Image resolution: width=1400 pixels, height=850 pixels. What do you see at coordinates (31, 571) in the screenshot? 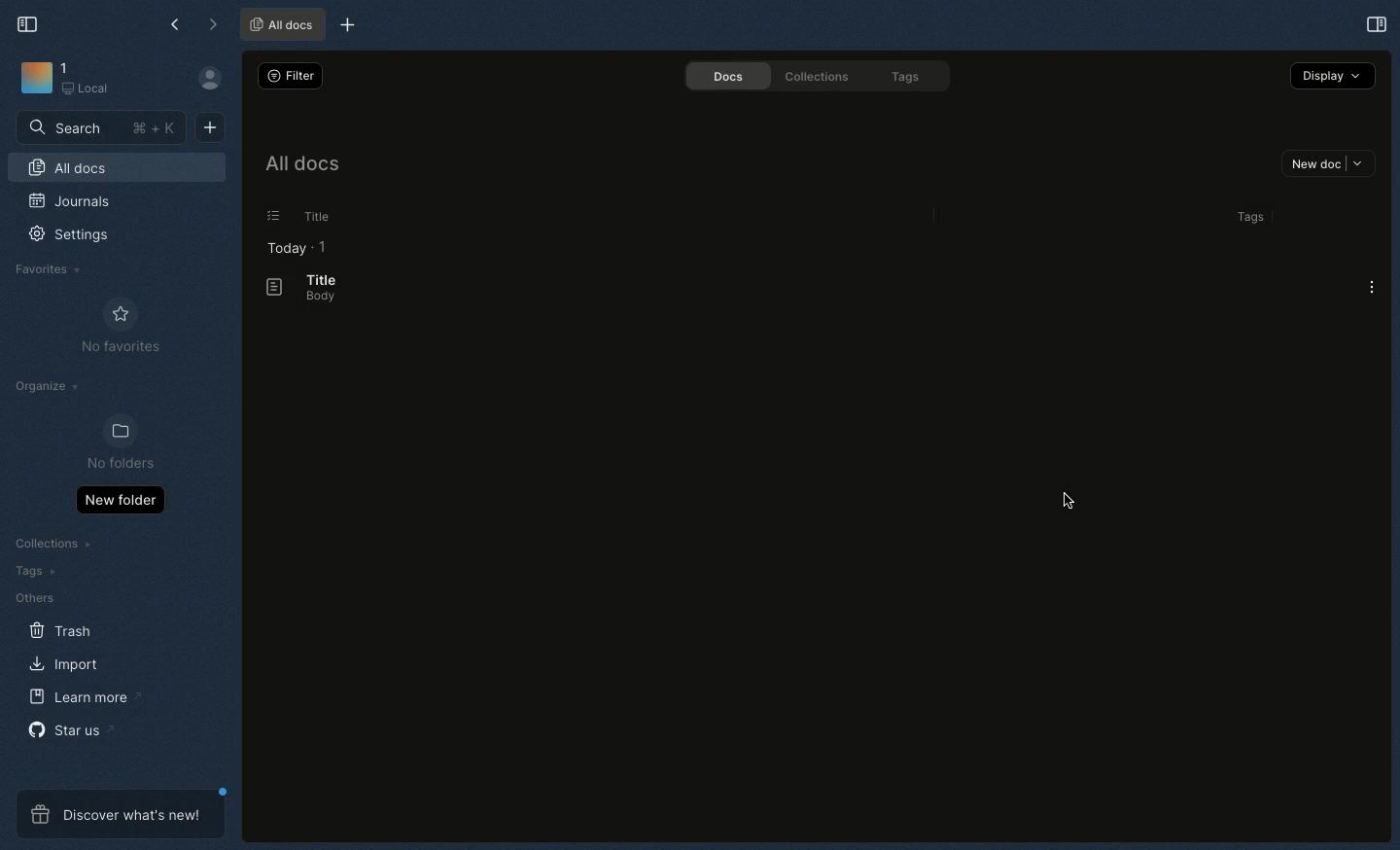
I see `Tags` at bounding box center [31, 571].